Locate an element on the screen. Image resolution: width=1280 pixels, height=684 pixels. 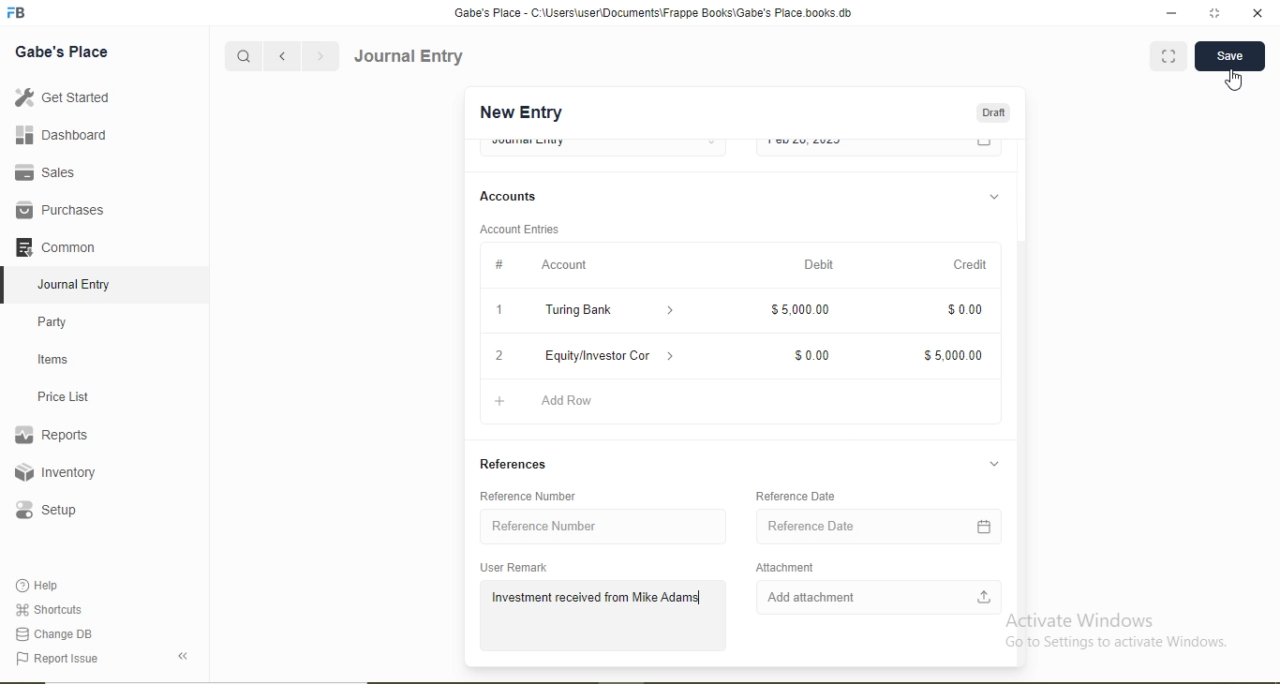
Get Started is located at coordinates (61, 96).